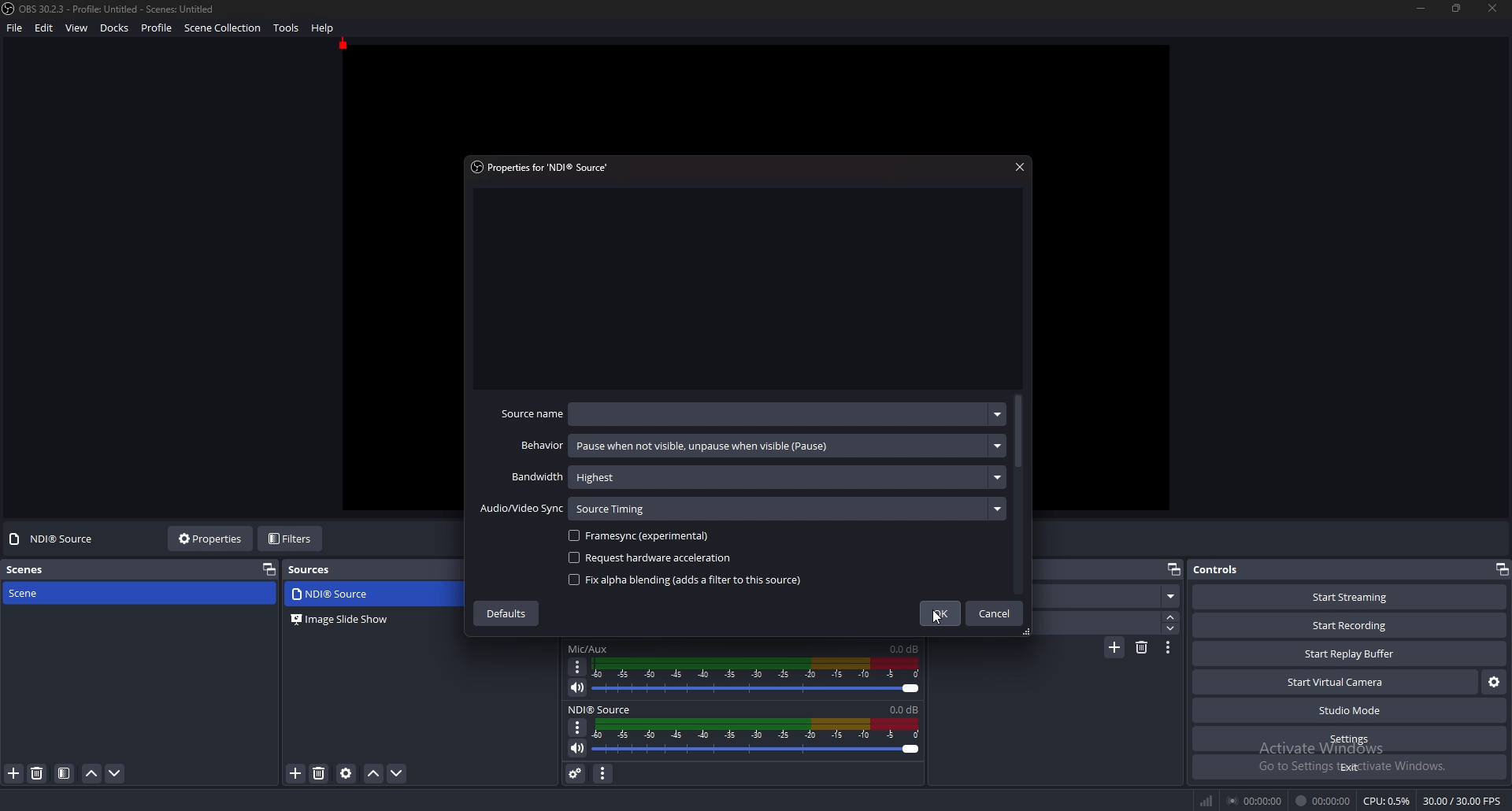 Image resolution: width=1512 pixels, height=811 pixels. I want to click on move scene down, so click(114, 773).